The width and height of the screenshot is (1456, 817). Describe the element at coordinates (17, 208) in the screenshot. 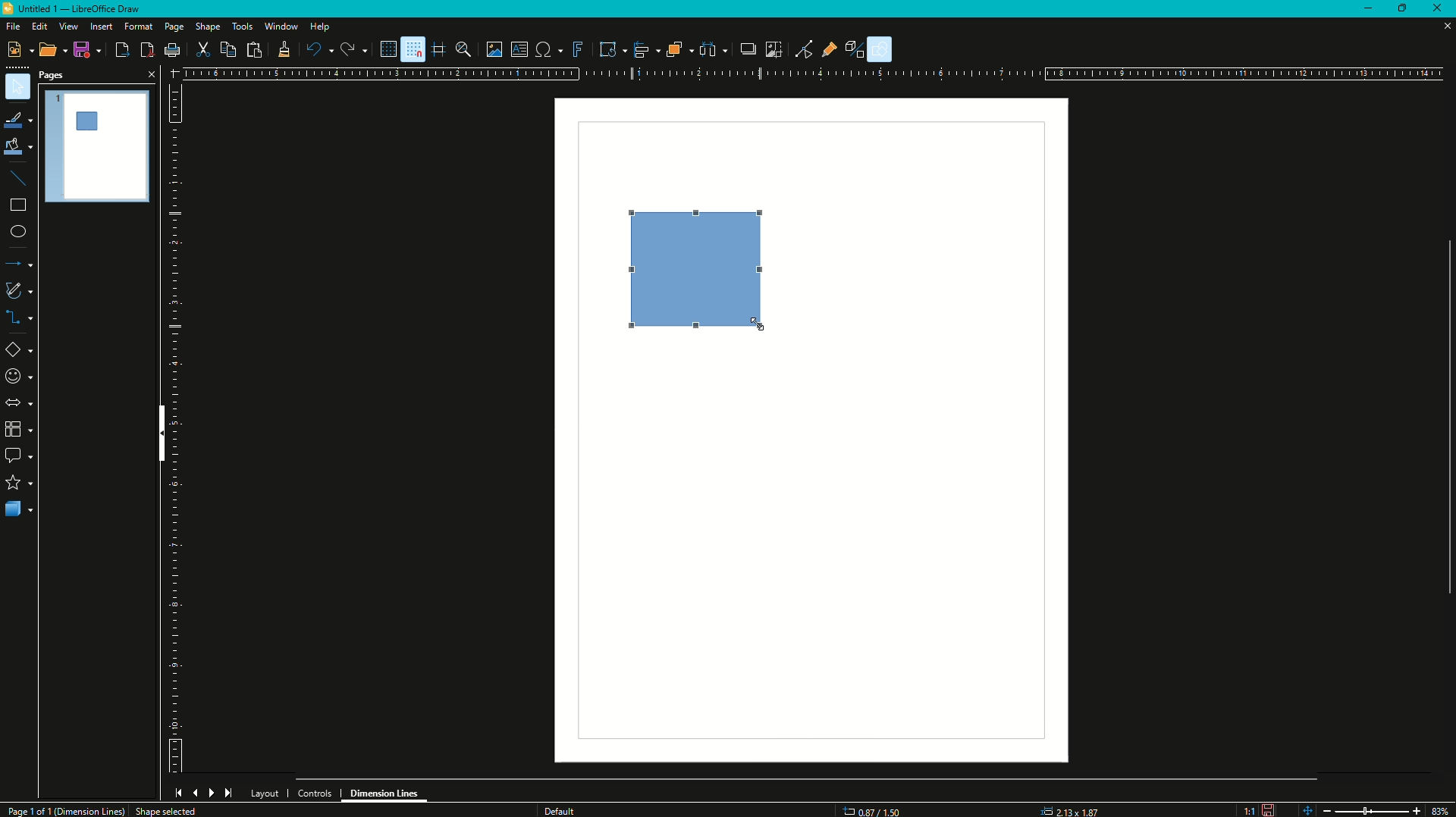

I see `Rectangle` at that location.